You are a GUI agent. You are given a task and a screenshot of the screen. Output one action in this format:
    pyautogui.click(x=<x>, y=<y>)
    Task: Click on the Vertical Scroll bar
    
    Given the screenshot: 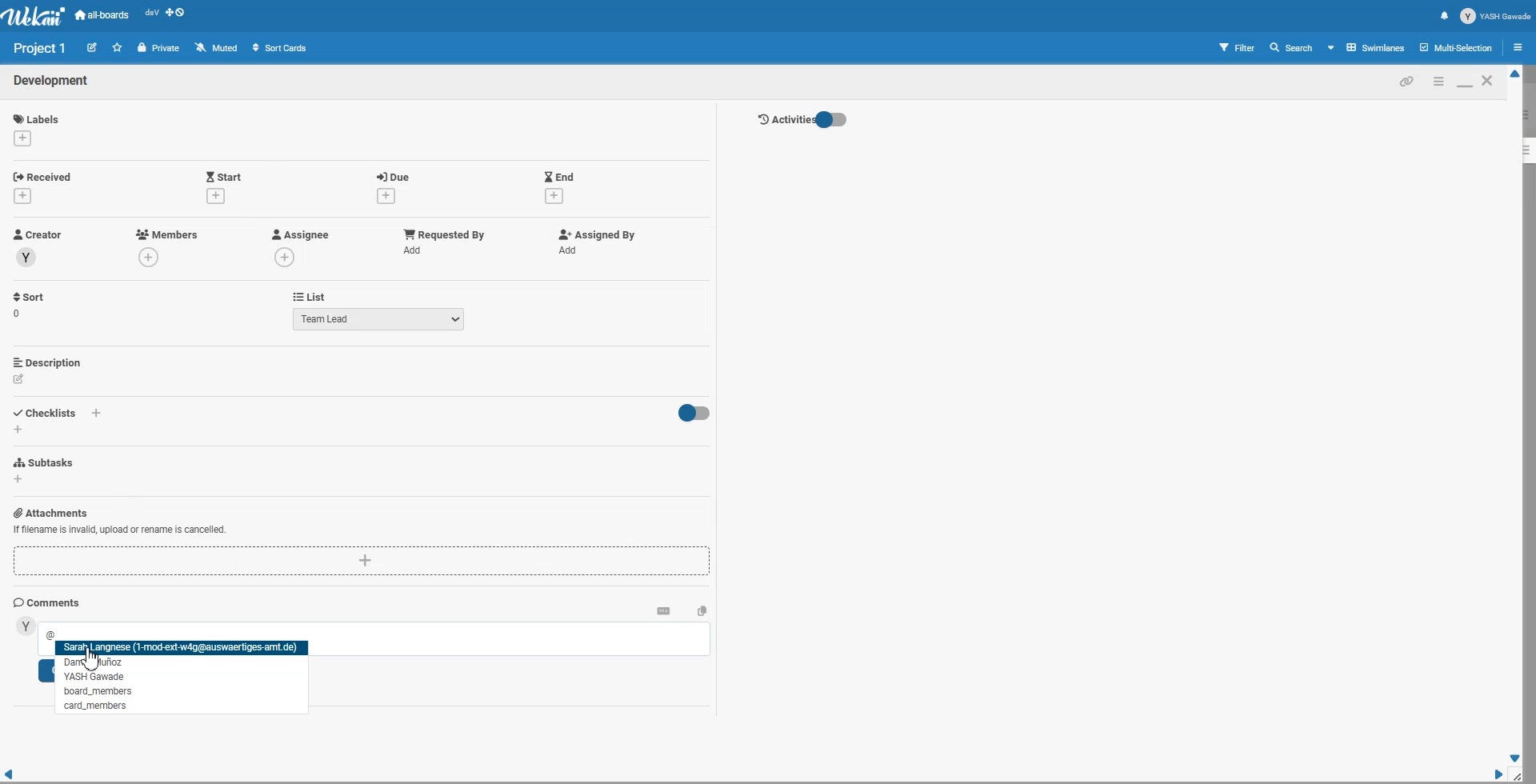 What is the action you would take?
    pyautogui.click(x=1516, y=416)
    